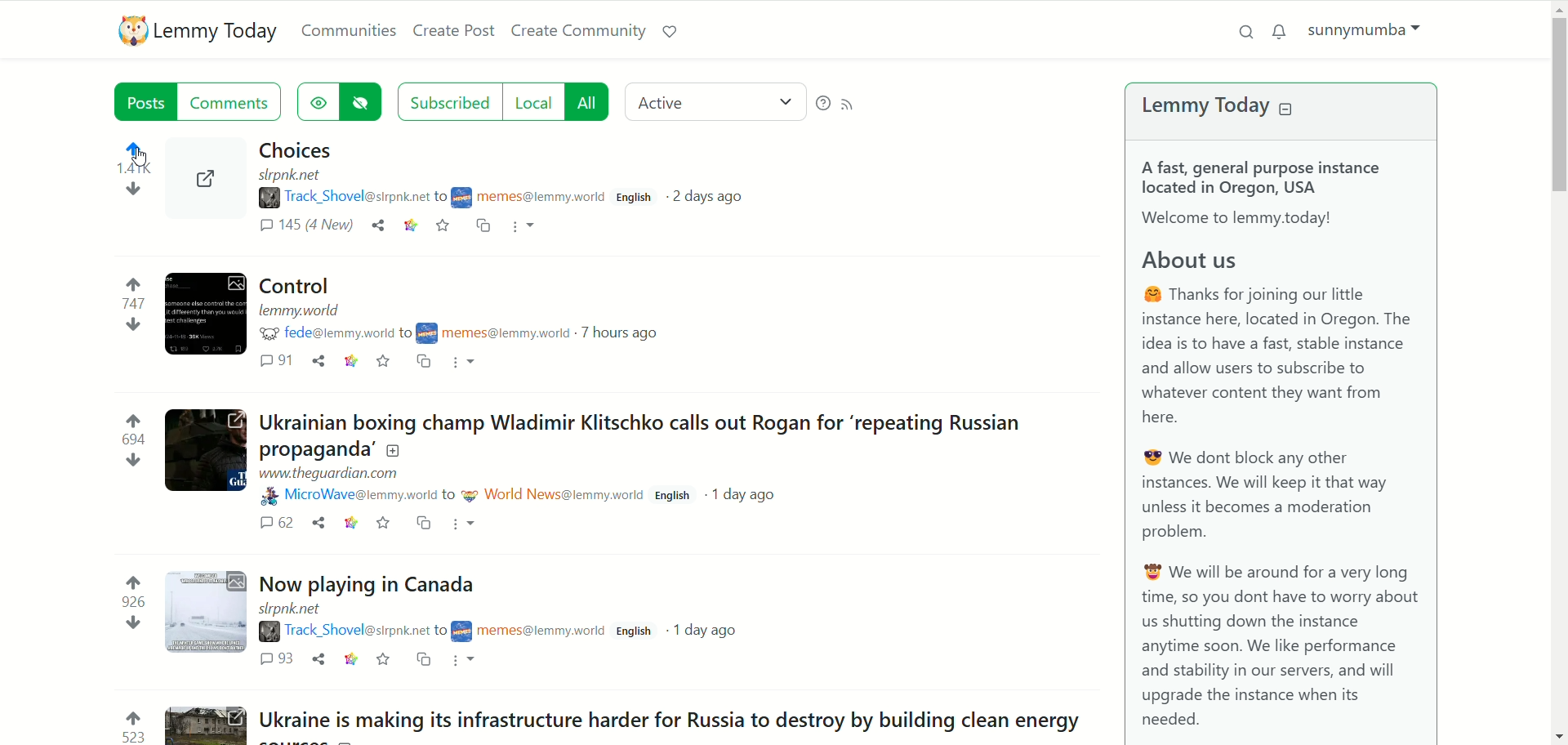  Describe the element at coordinates (591, 101) in the screenshot. I see `all` at that location.